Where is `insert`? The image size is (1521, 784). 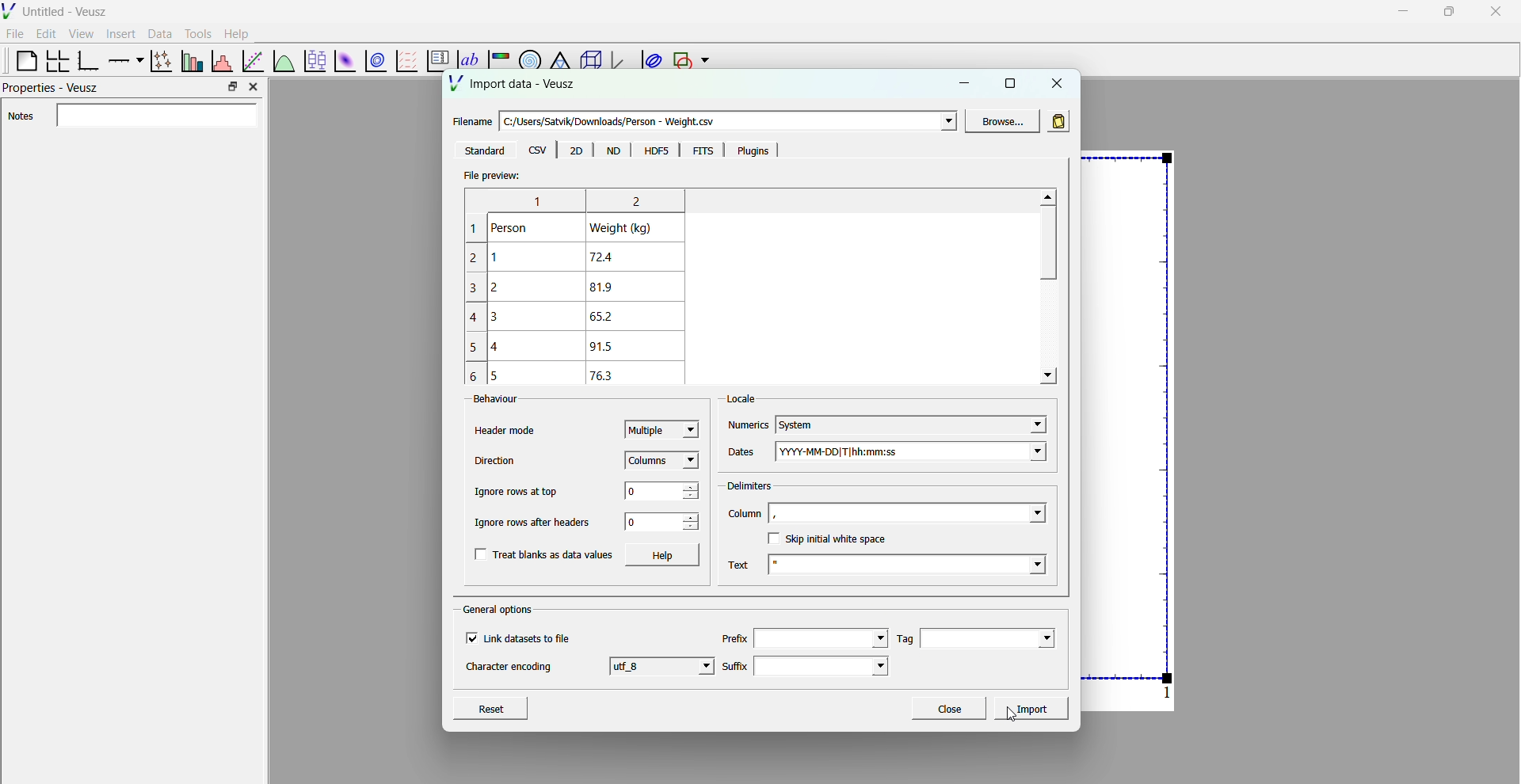
insert is located at coordinates (118, 32).